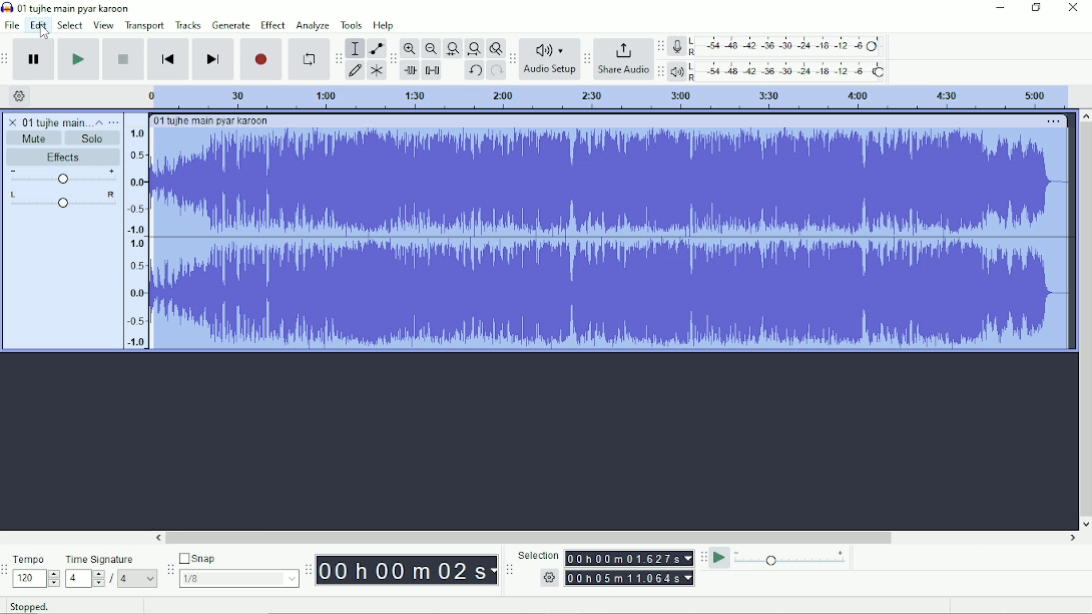 The height and width of the screenshot is (614, 1092). What do you see at coordinates (473, 49) in the screenshot?
I see `Fit project to width` at bounding box center [473, 49].